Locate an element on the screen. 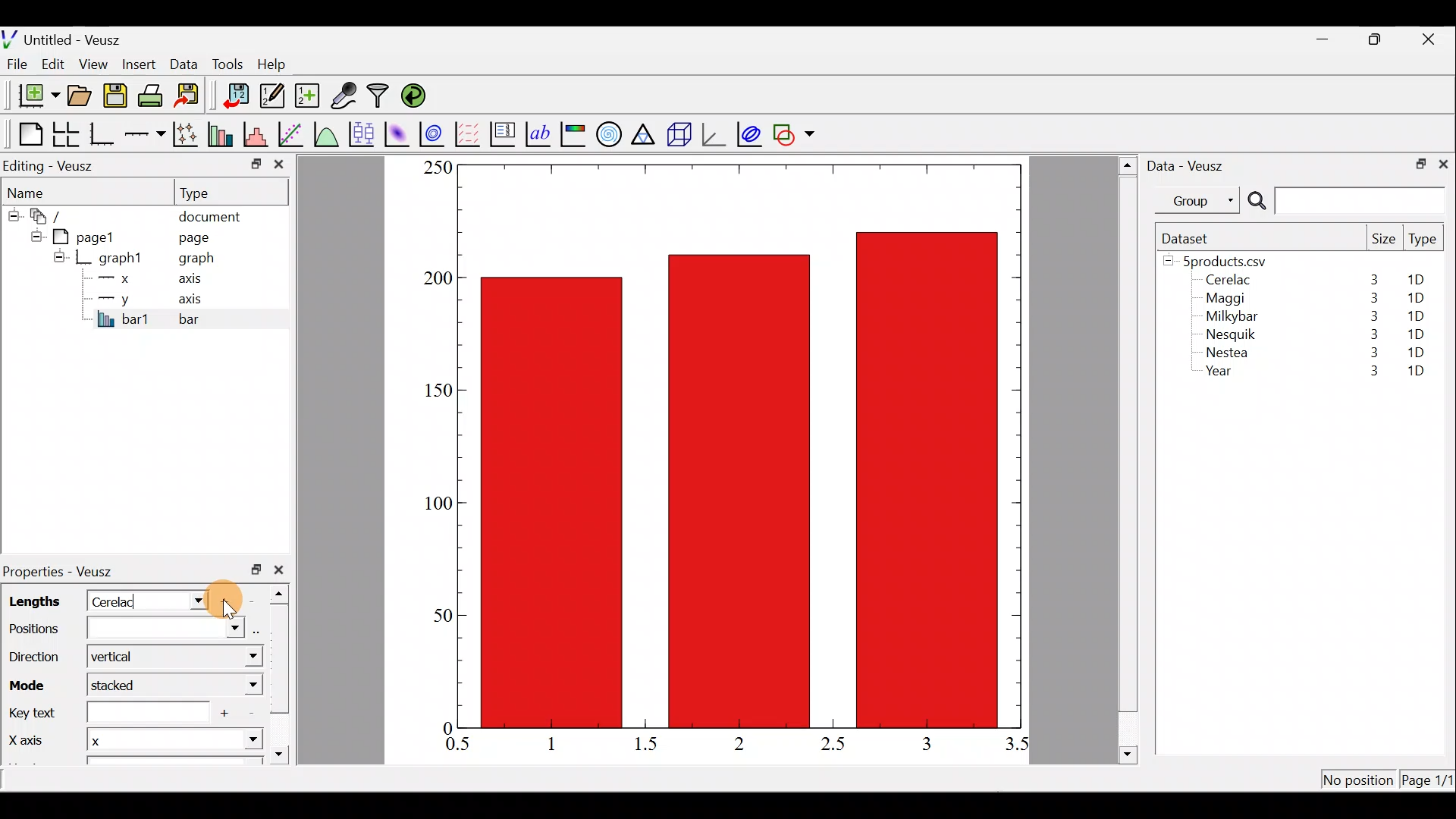 This screenshot has height=819, width=1456. restore down is located at coordinates (256, 570).